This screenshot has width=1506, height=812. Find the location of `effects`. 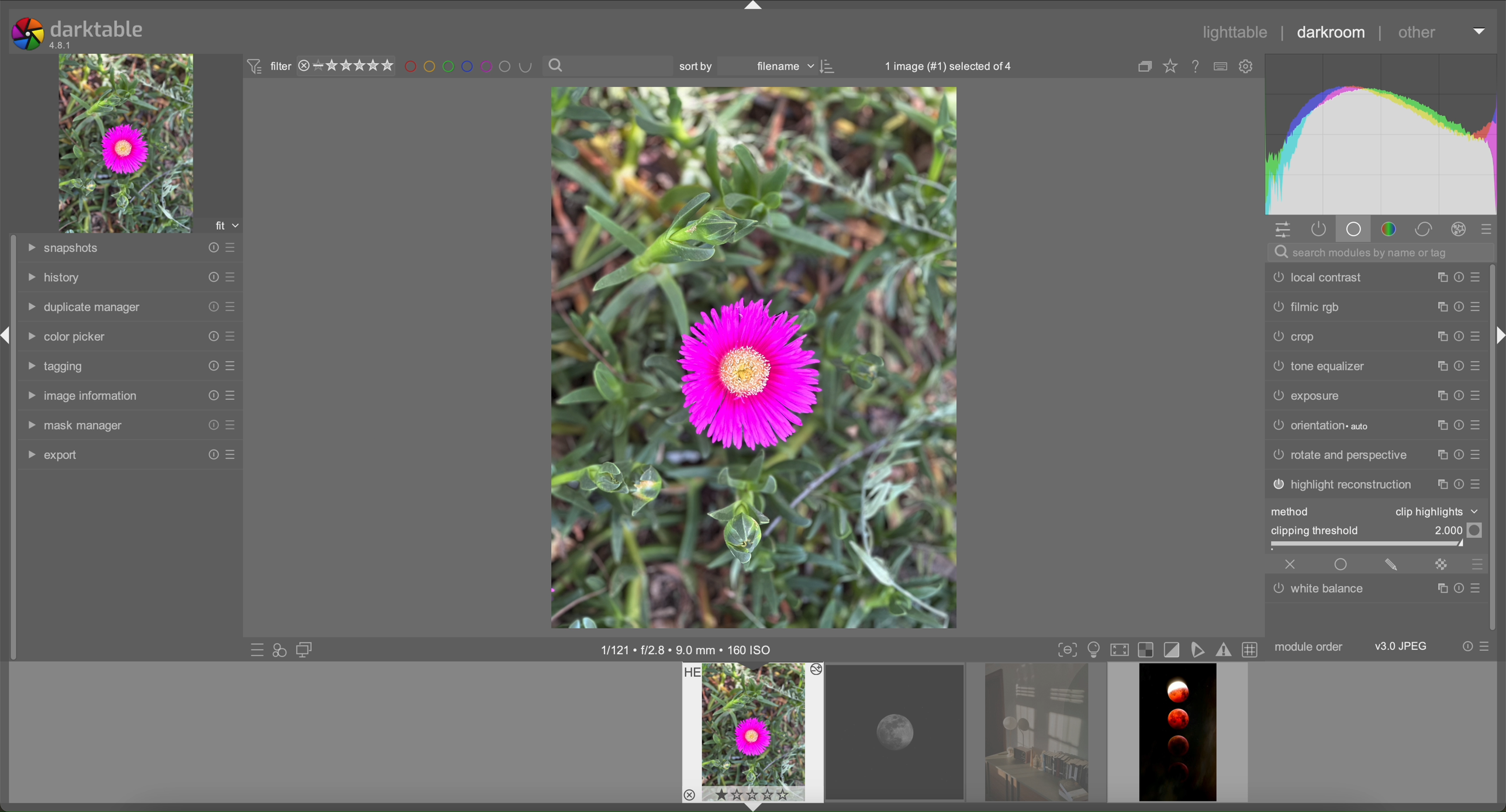

effects is located at coordinates (1458, 228).